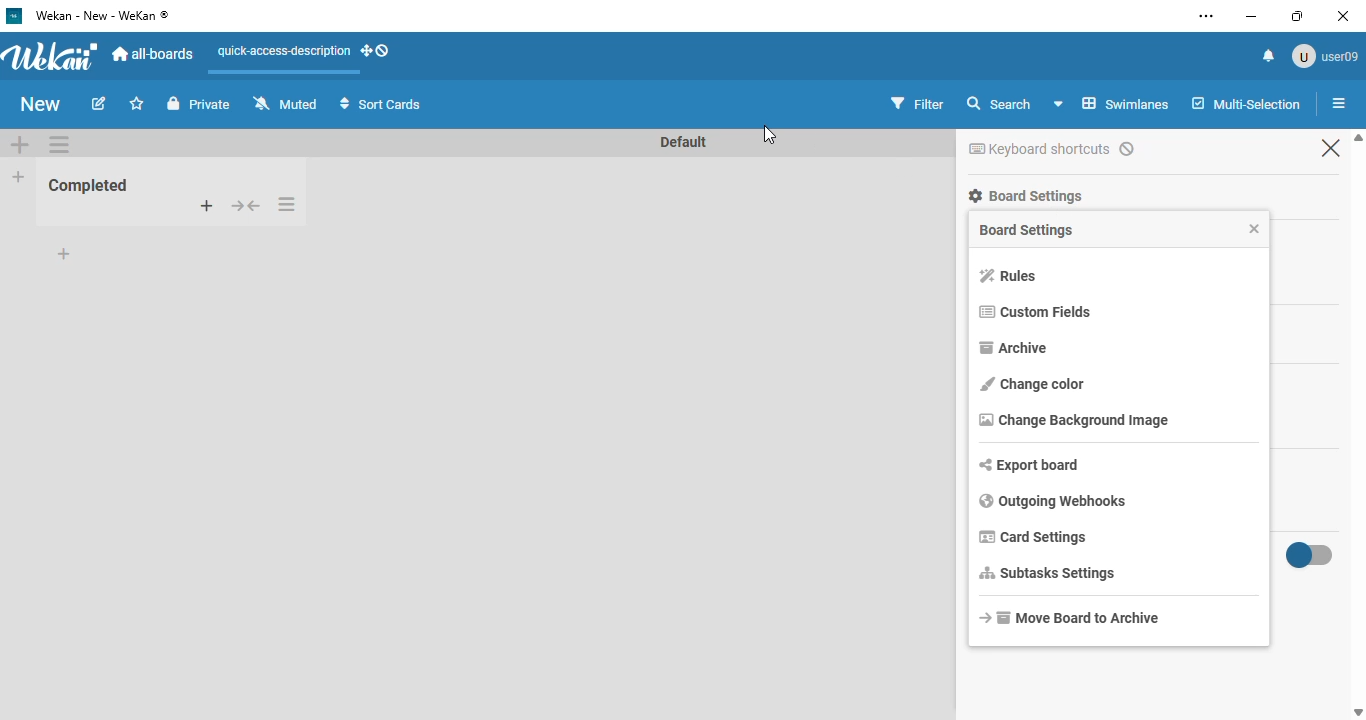 This screenshot has width=1366, height=720. I want to click on archive, so click(1013, 347).